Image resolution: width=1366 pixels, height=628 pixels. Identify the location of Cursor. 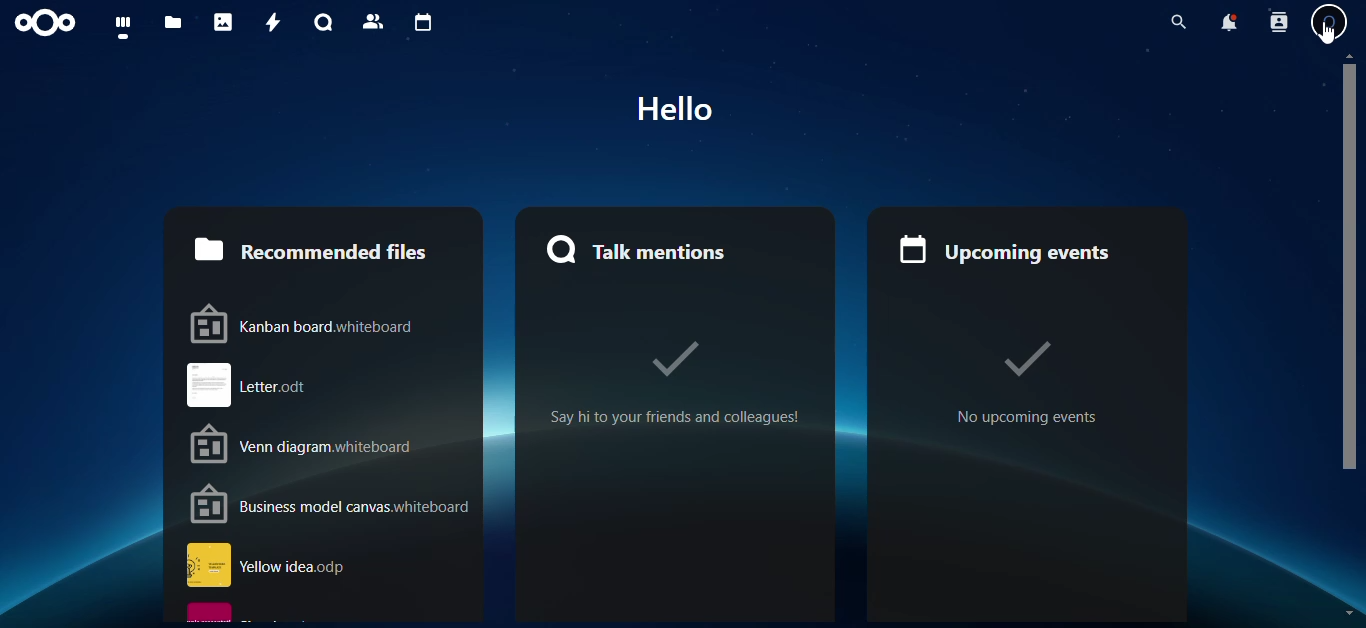
(1326, 33).